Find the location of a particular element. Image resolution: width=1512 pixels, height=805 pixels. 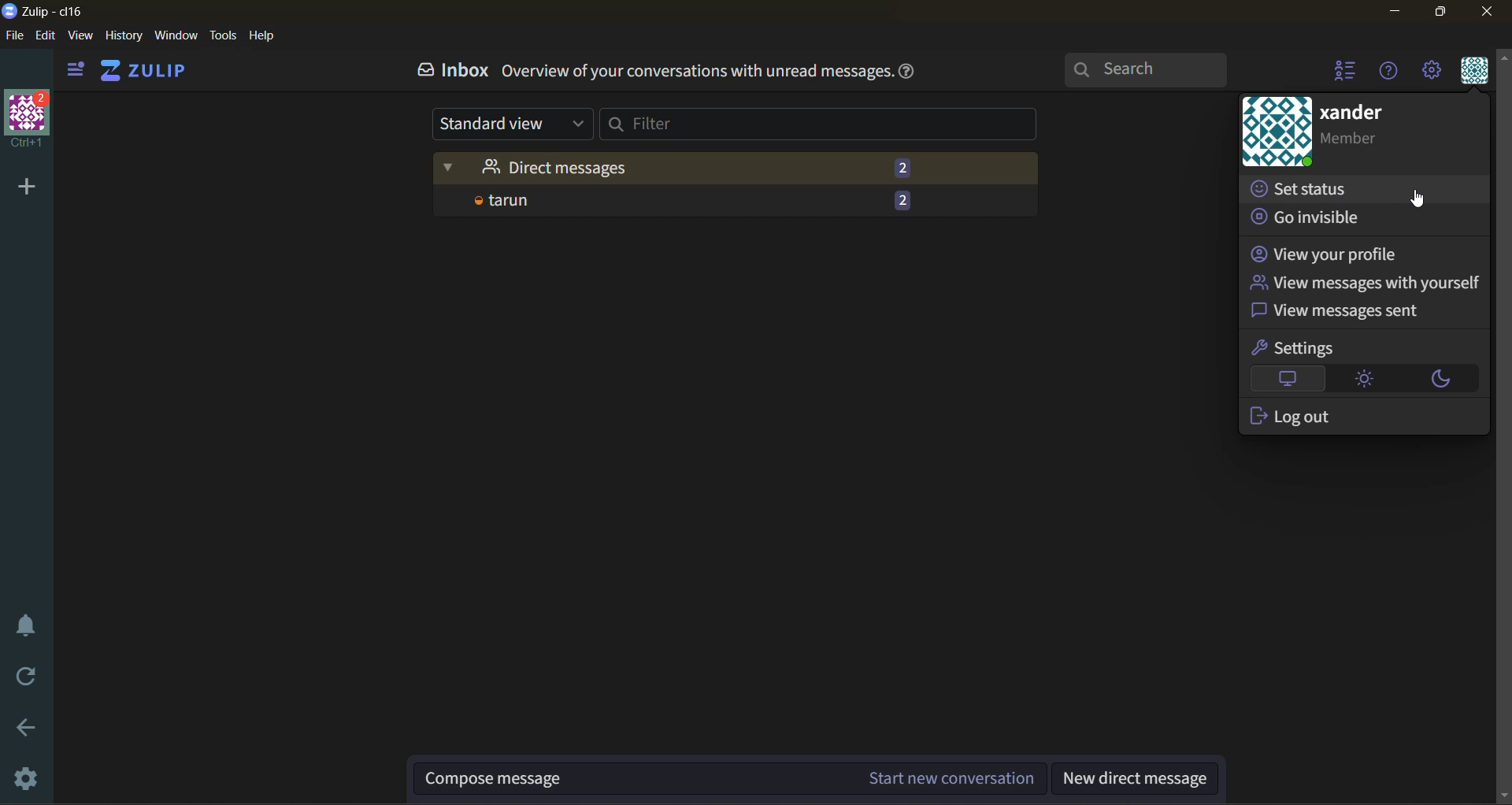

search is located at coordinates (1152, 71).